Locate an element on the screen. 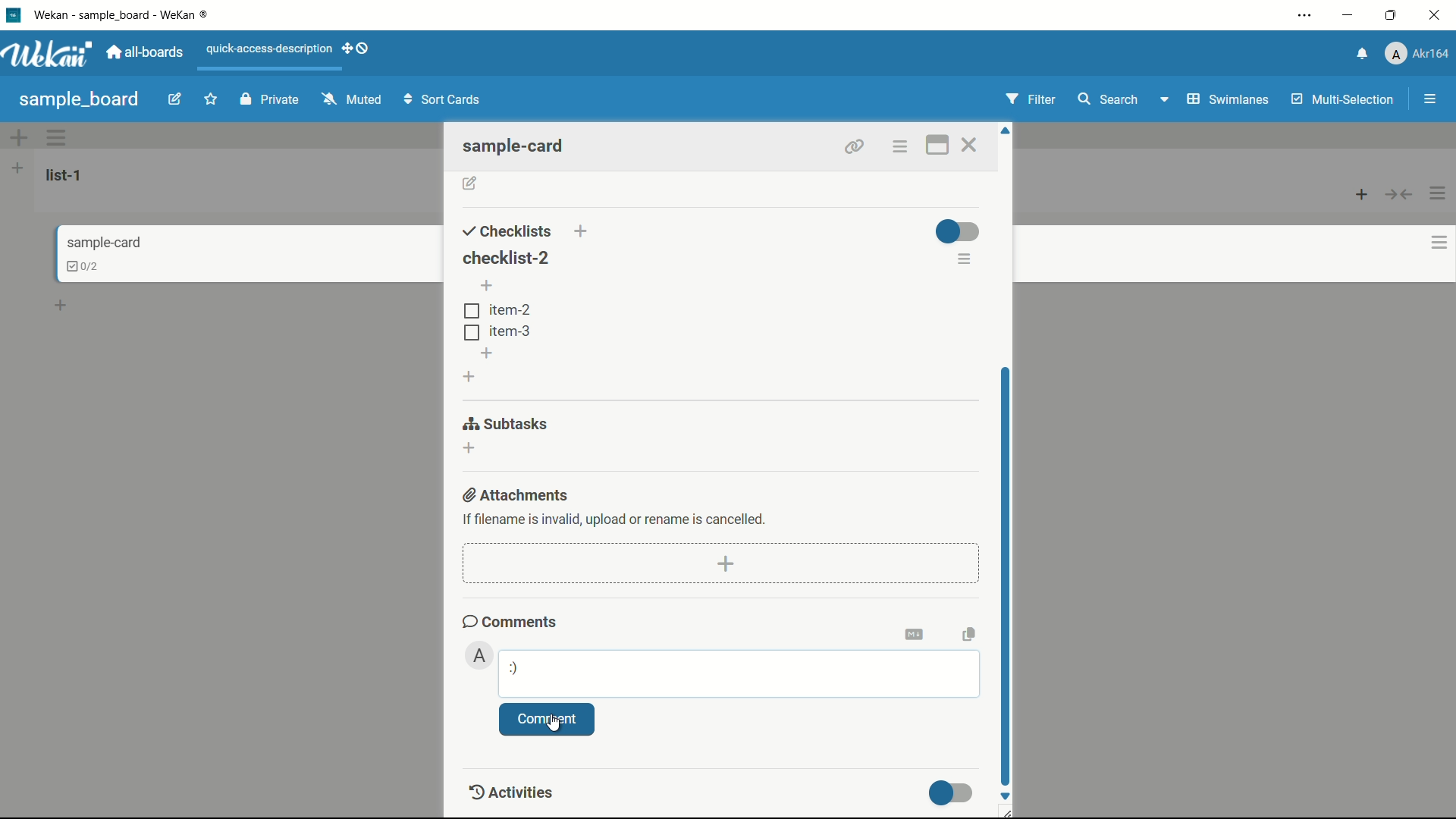  add checklist is located at coordinates (470, 376).